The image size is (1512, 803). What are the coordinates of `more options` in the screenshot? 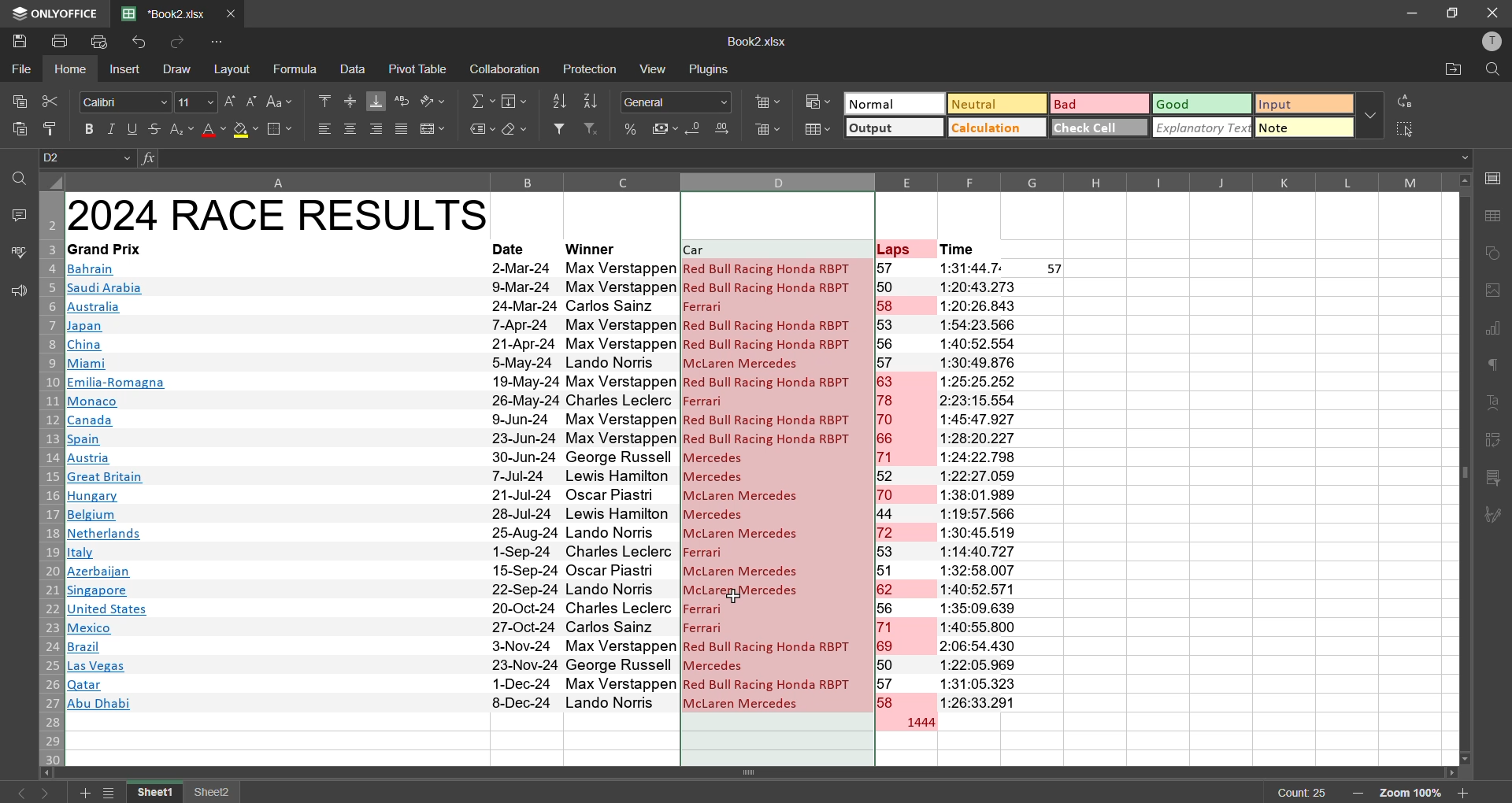 It's located at (1369, 114).